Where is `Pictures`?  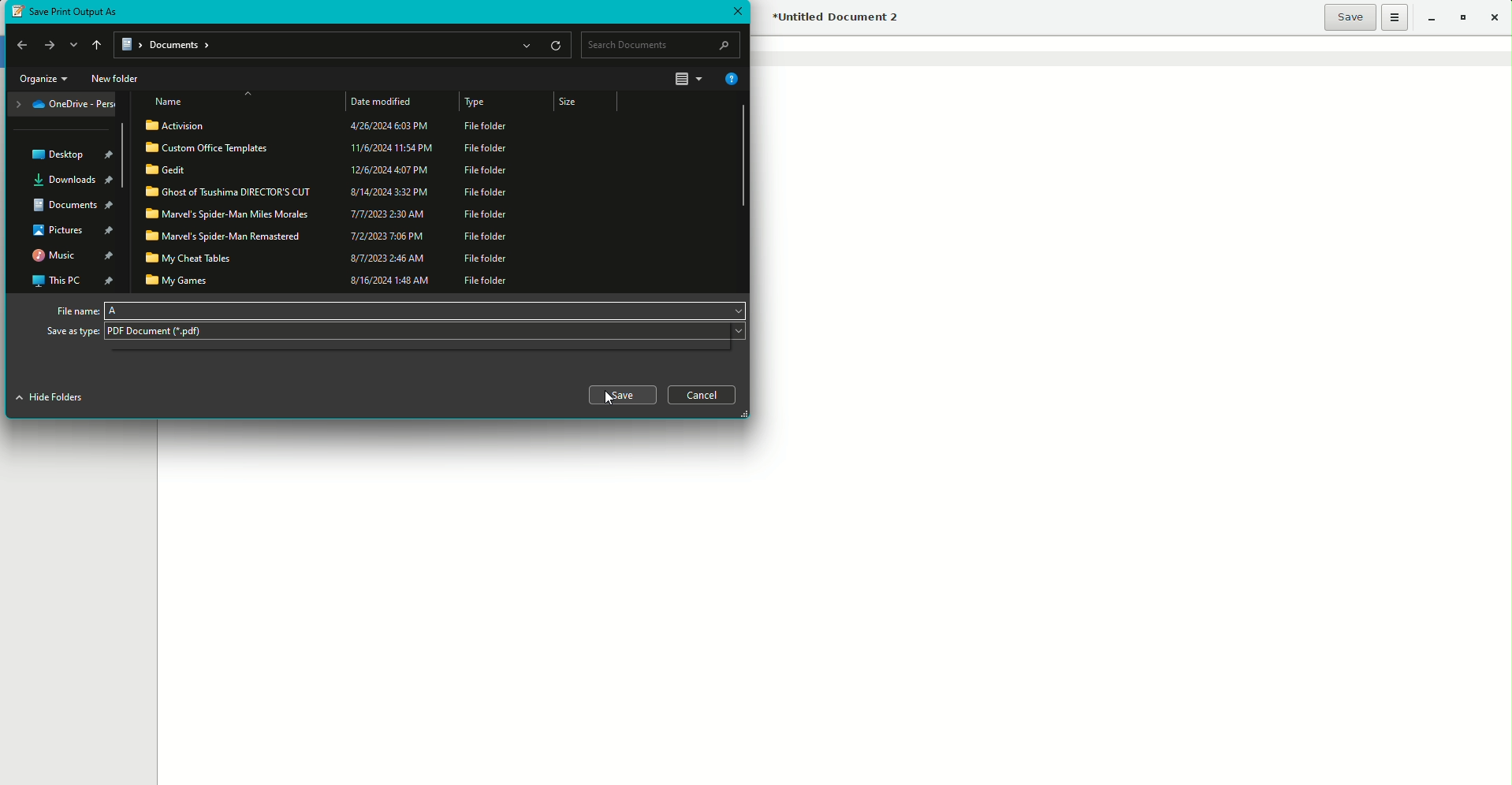 Pictures is located at coordinates (72, 231).